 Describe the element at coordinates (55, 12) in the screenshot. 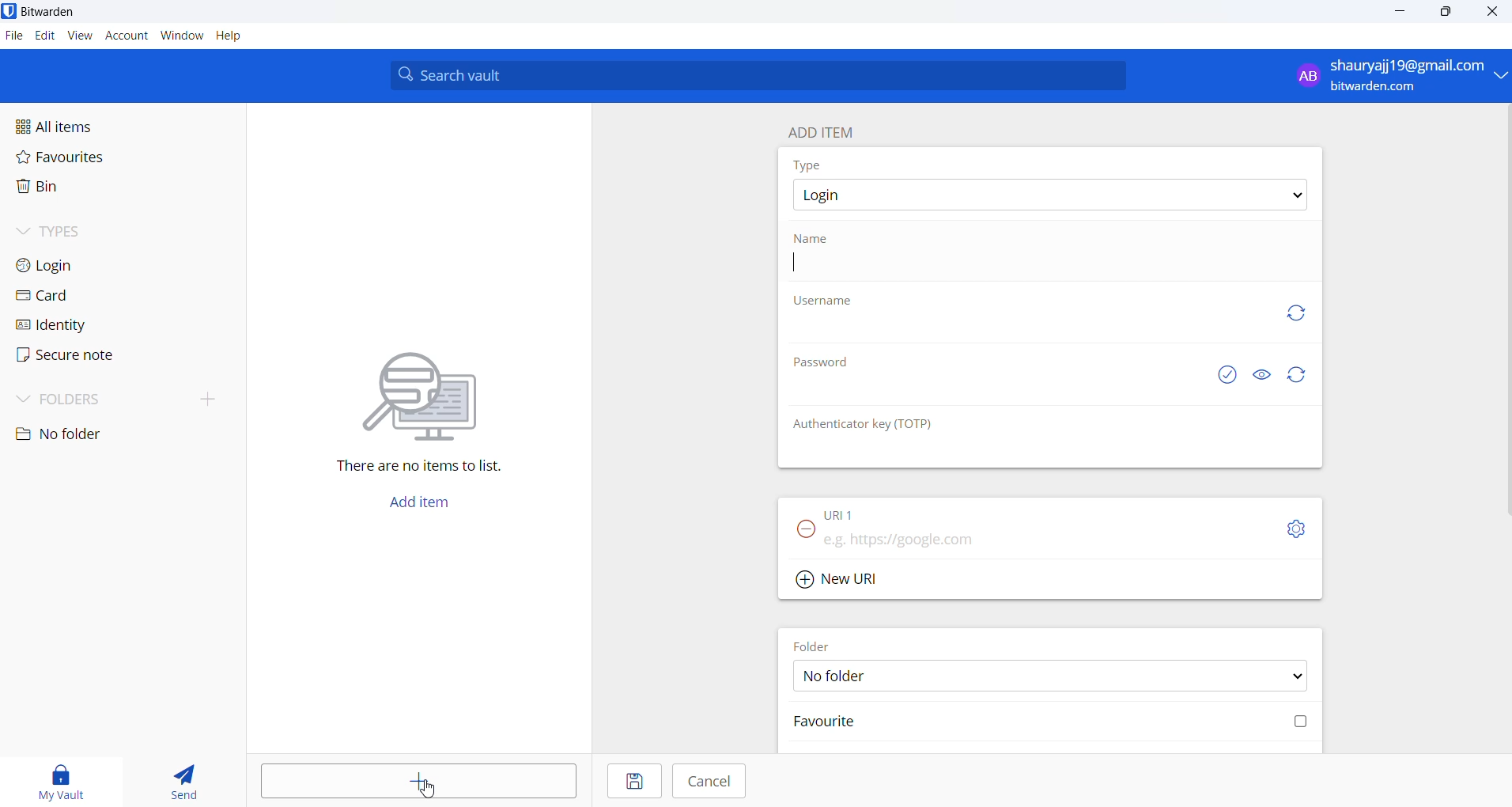

I see `application name` at that location.